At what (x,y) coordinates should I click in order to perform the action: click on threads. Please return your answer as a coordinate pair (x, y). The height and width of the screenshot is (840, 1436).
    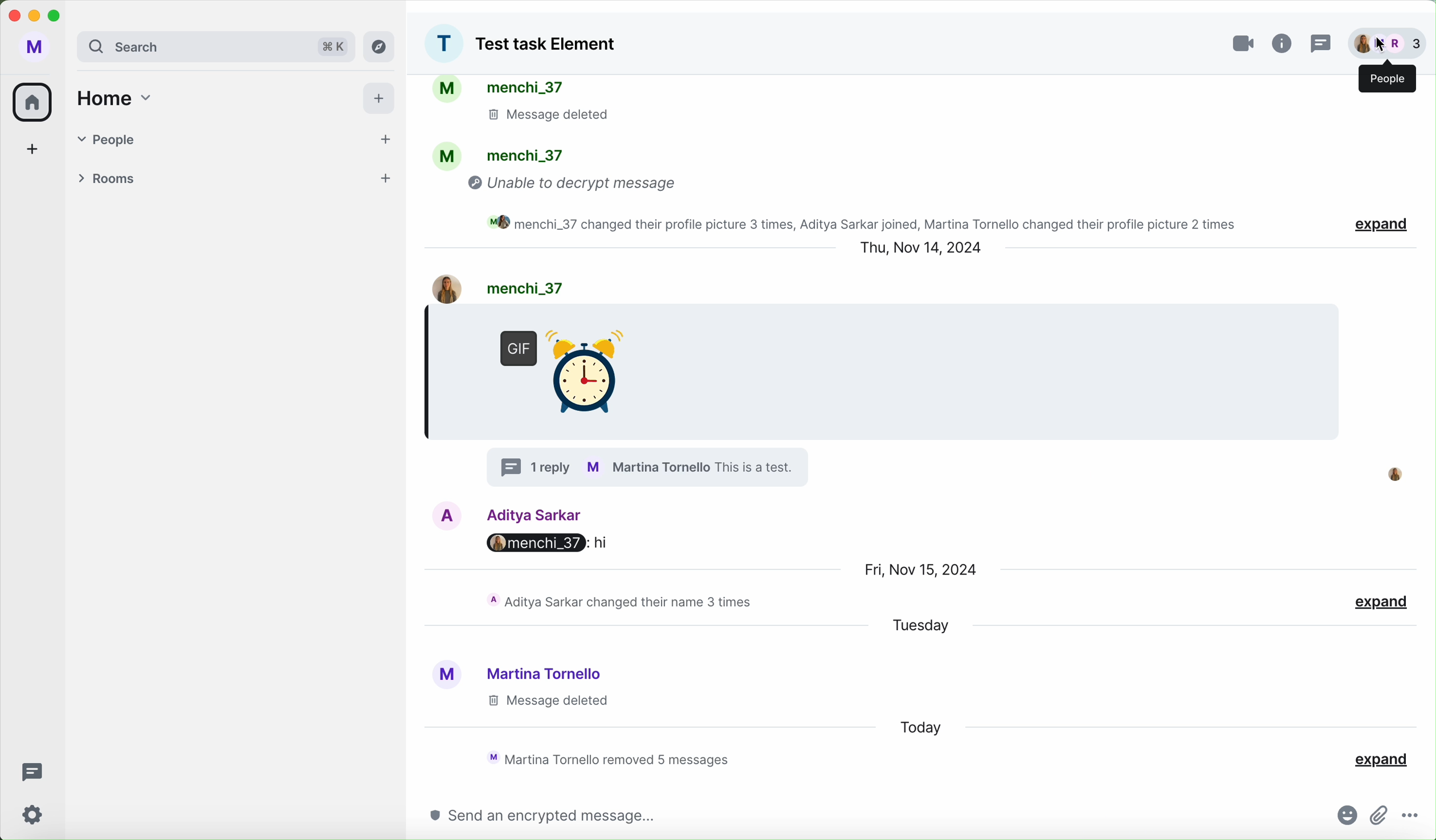
    Looking at the image, I should click on (1321, 43).